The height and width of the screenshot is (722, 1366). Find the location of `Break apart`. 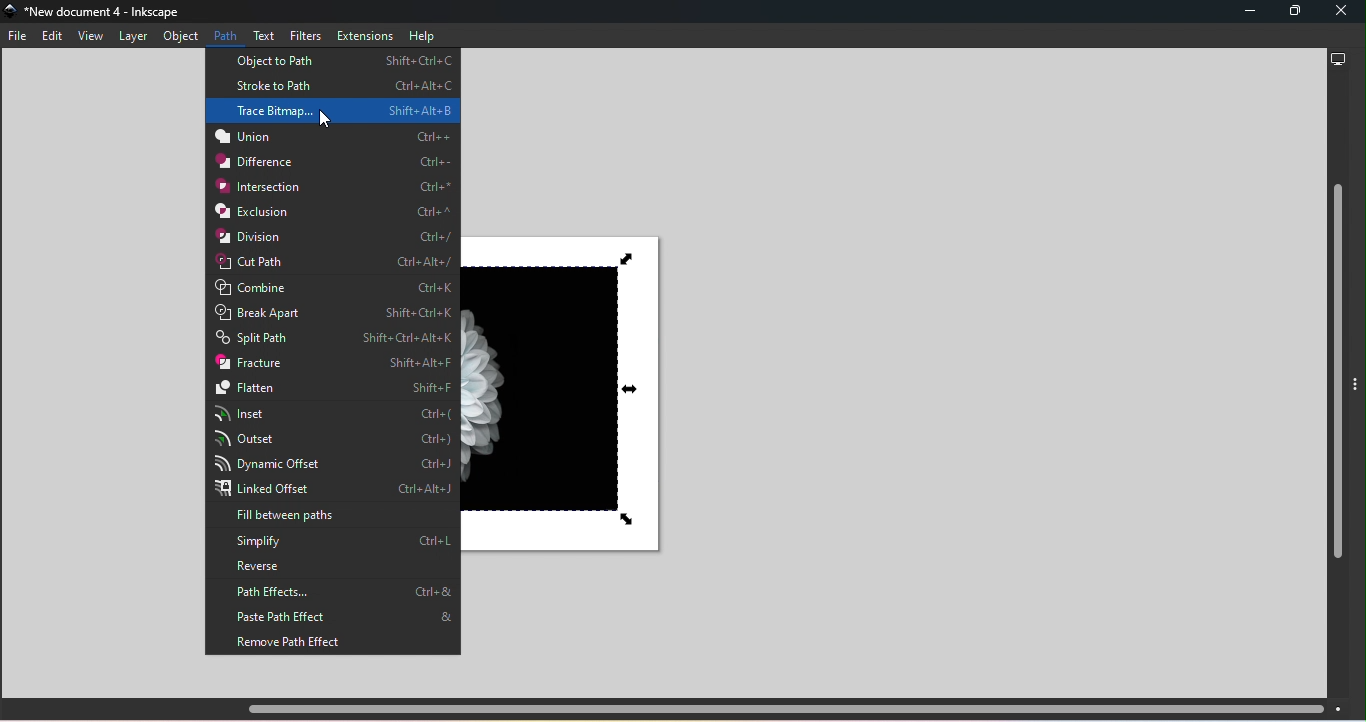

Break apart is located at coordinates (336, 313).